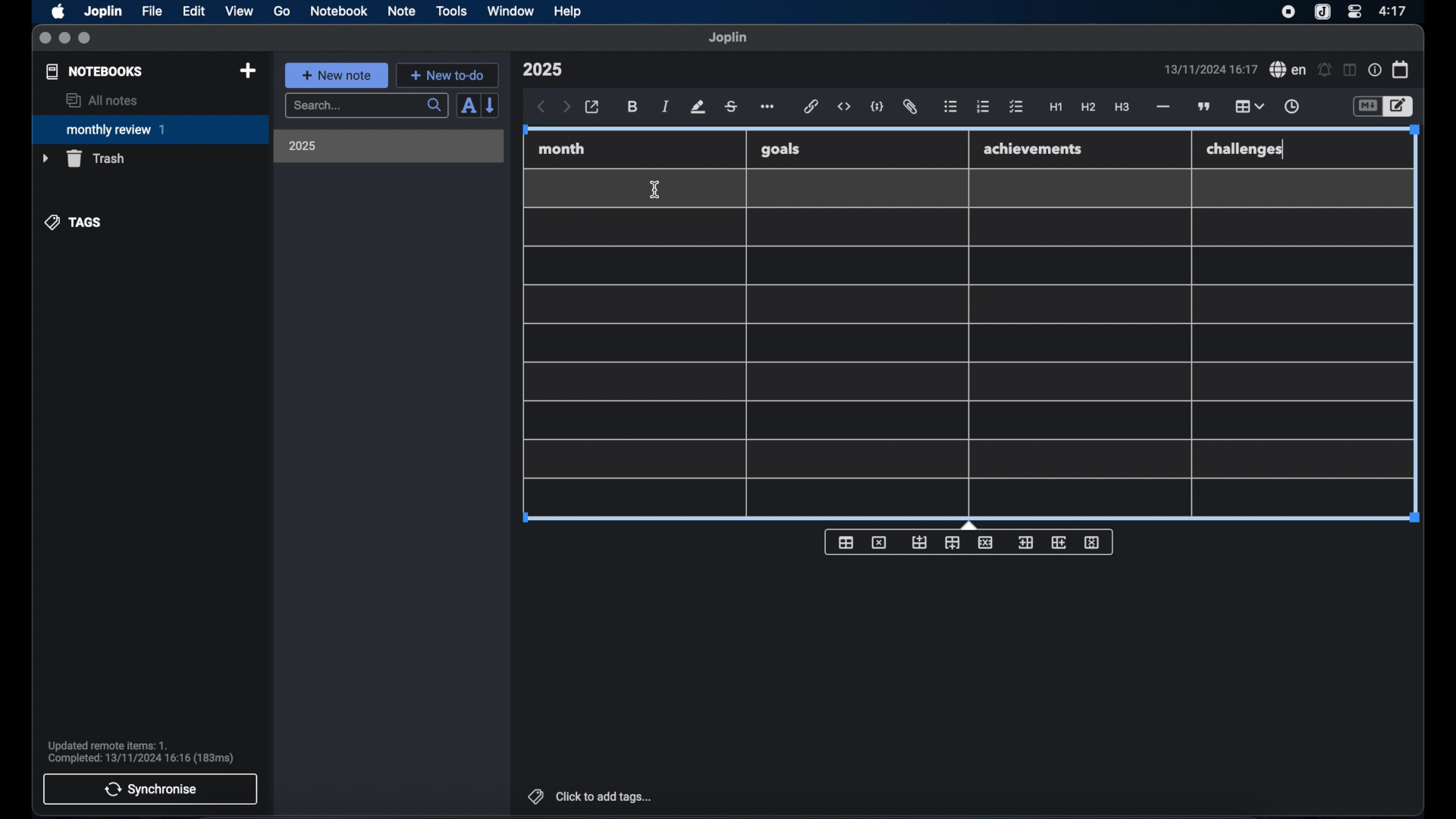 This screenshot has width=1456, height=819. What do you see at coordinates (542, 70) in the screenshot?
I see `note title` at bounding box center [542, 70].